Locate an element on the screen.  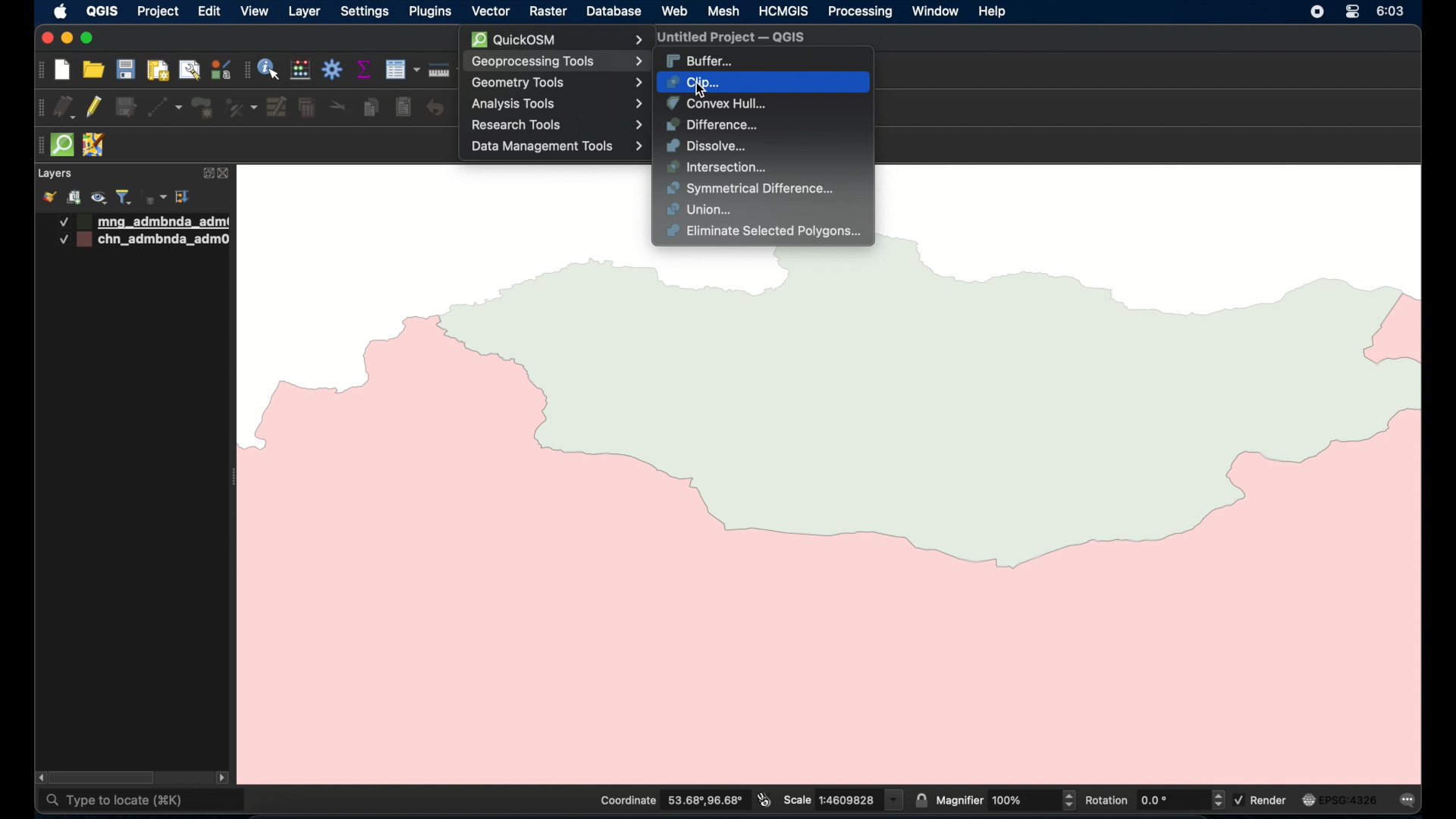
HCMGIS is located at coordinates (782, 11).